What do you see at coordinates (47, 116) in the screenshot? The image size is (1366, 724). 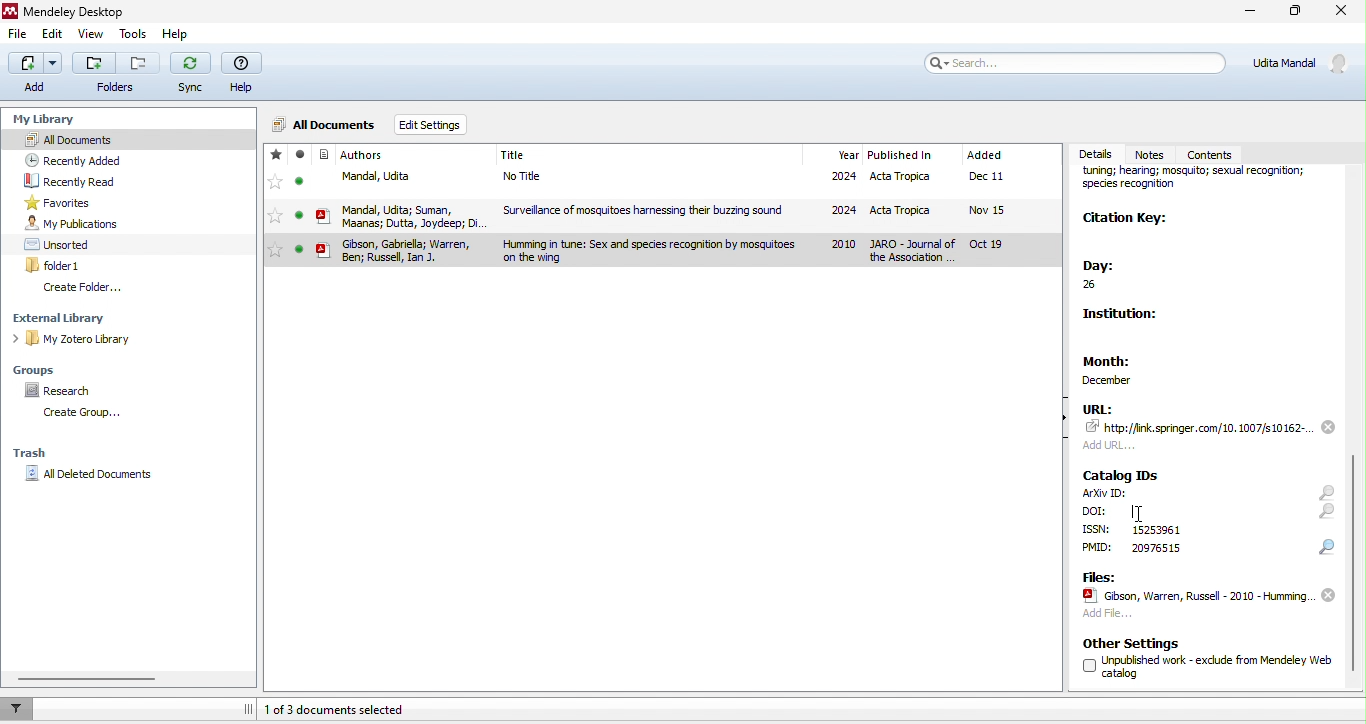 I see `my library` at bounding box center [47, 116].